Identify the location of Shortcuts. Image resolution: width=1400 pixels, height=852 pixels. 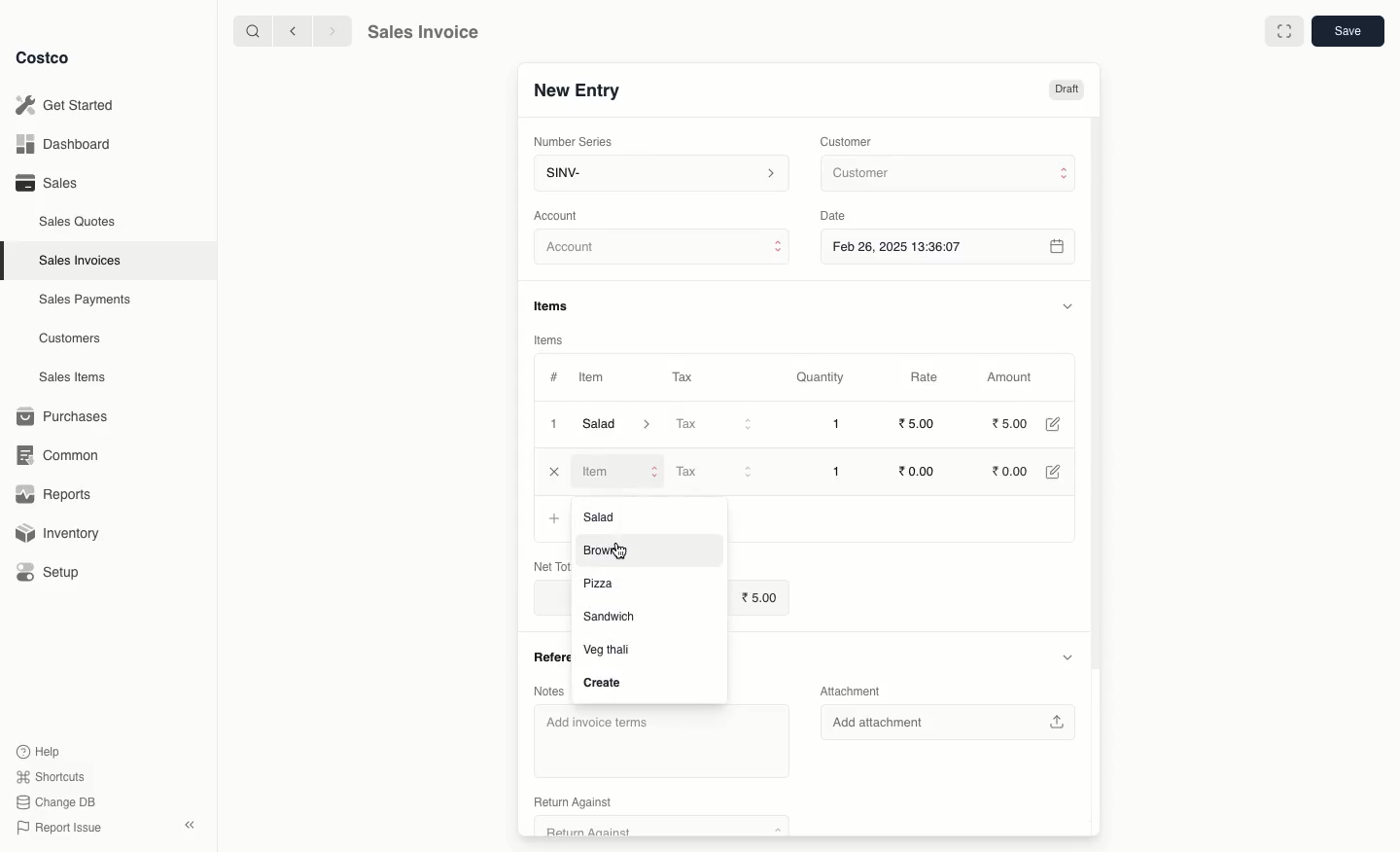
(50, 777).